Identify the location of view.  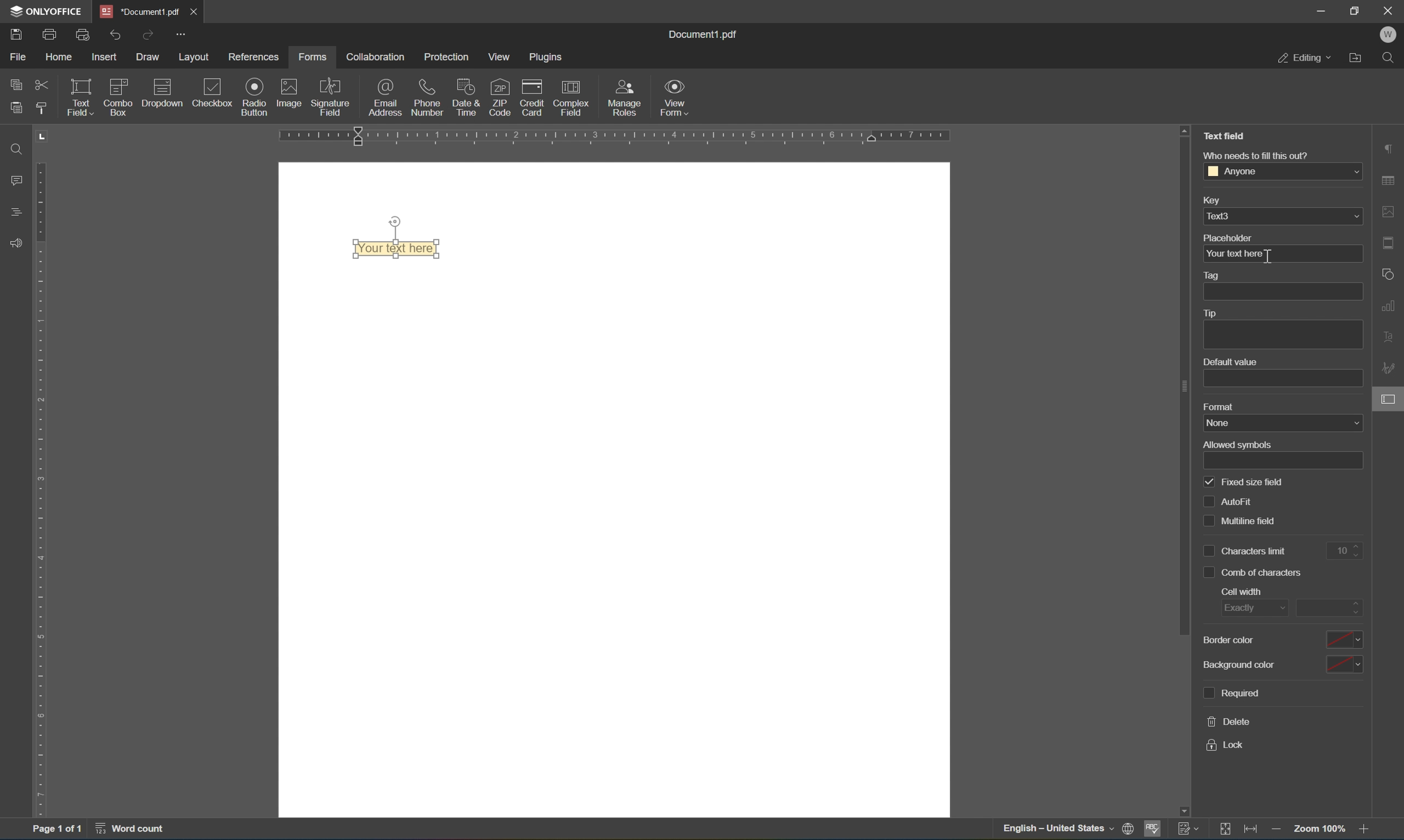
(501, 57).